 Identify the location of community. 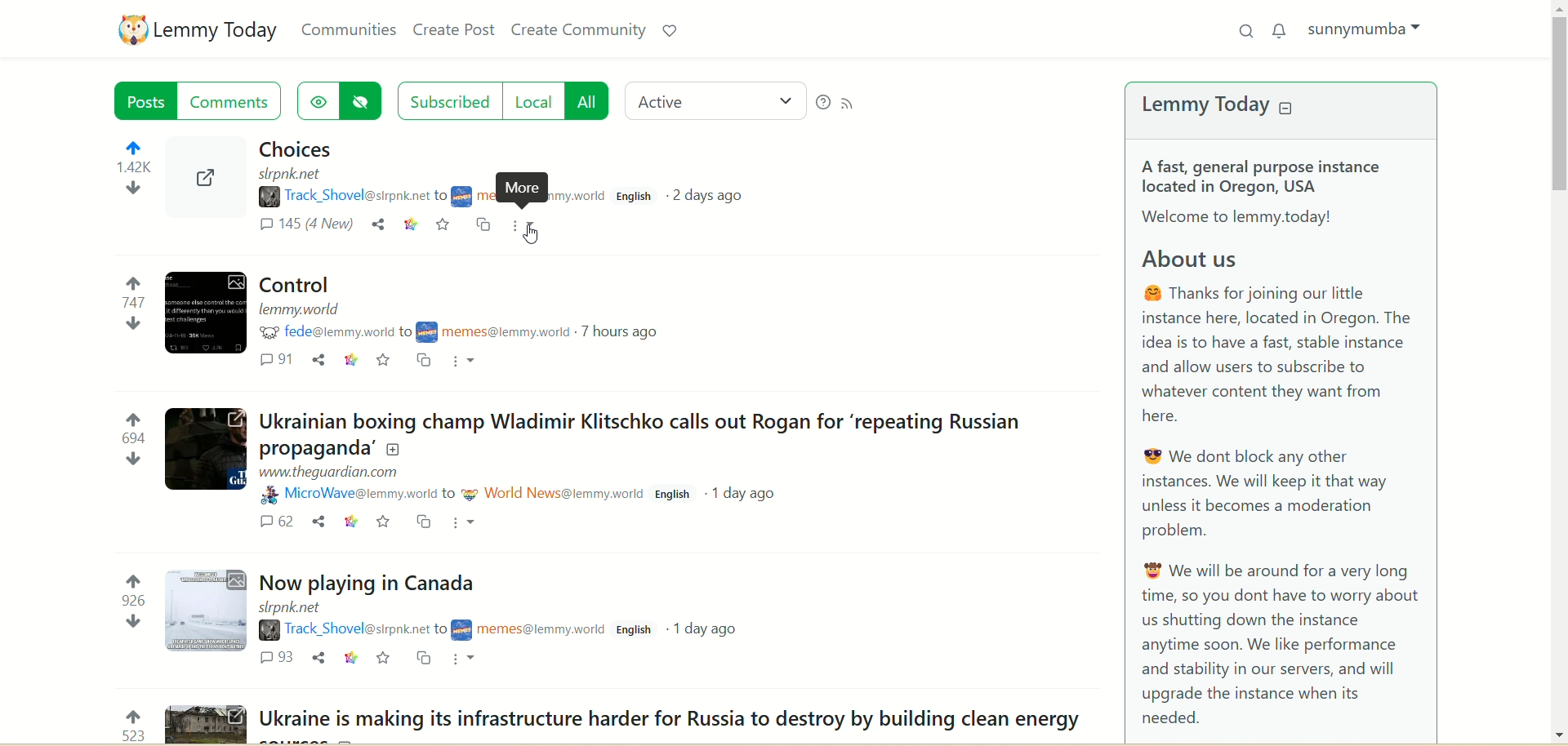
(499, 332).